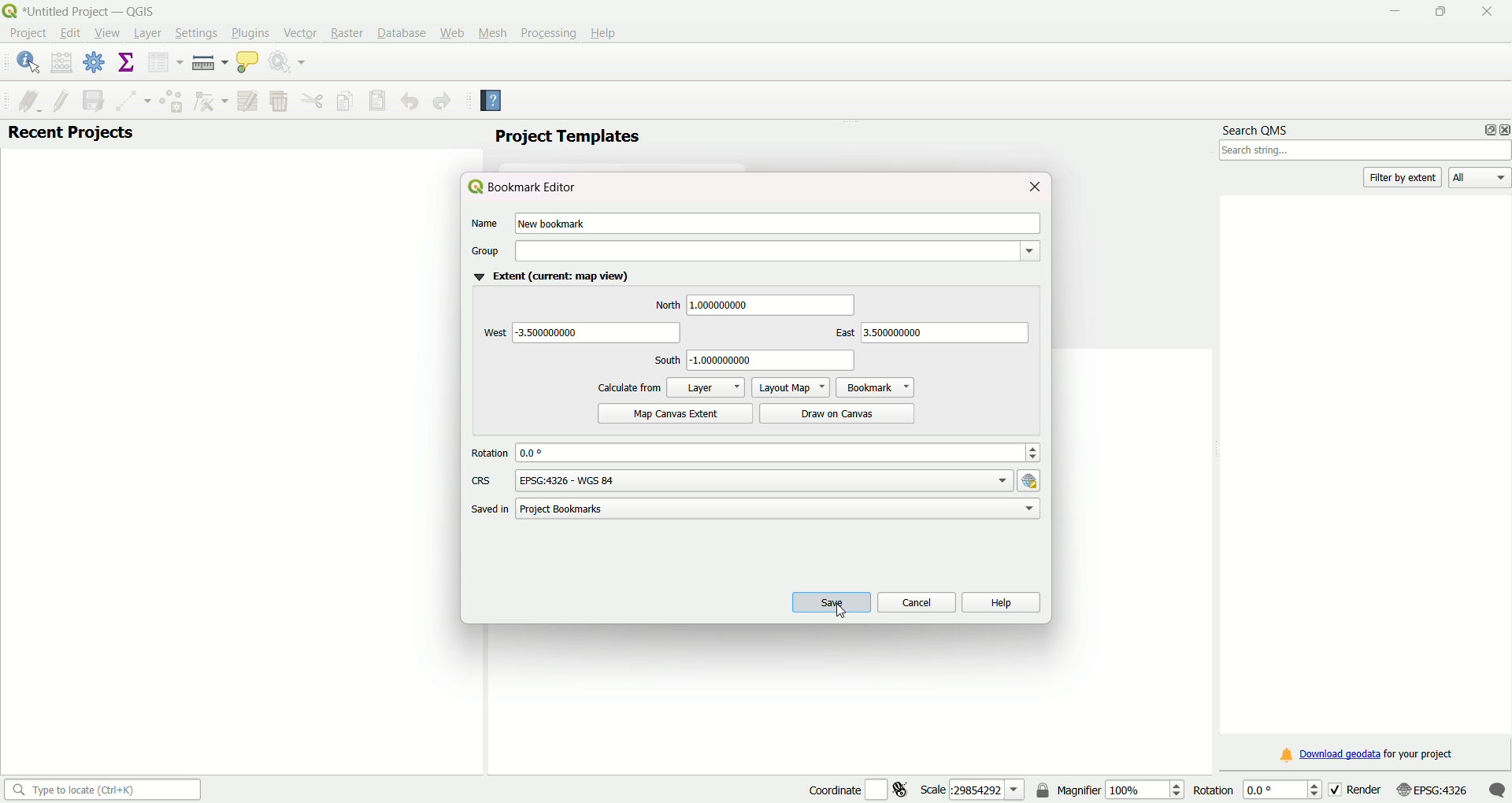 The height and width of the screenshot is (803, 1512). Describe the element at coordinates (443, 102) in the screenshot. I see `redo` at that location.